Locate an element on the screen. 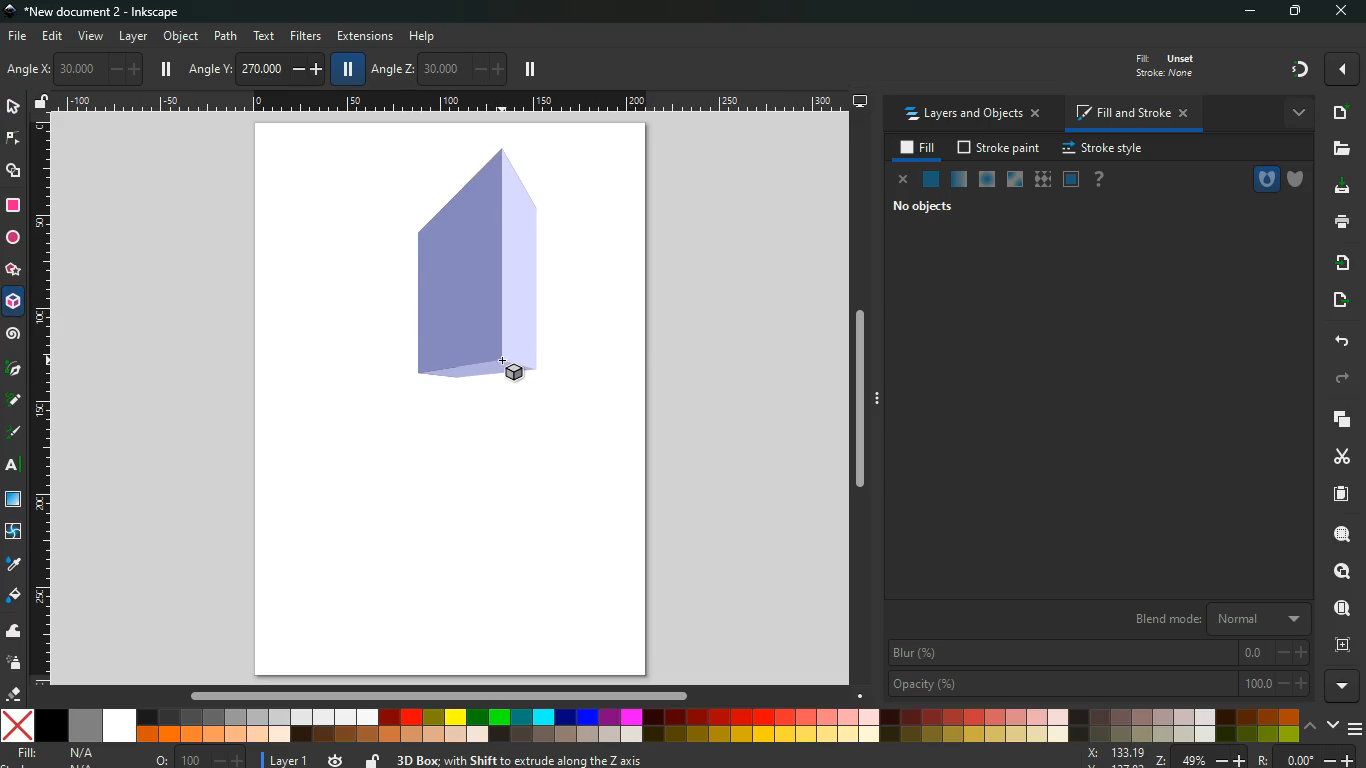  edit is located at coordinates (54, 36).